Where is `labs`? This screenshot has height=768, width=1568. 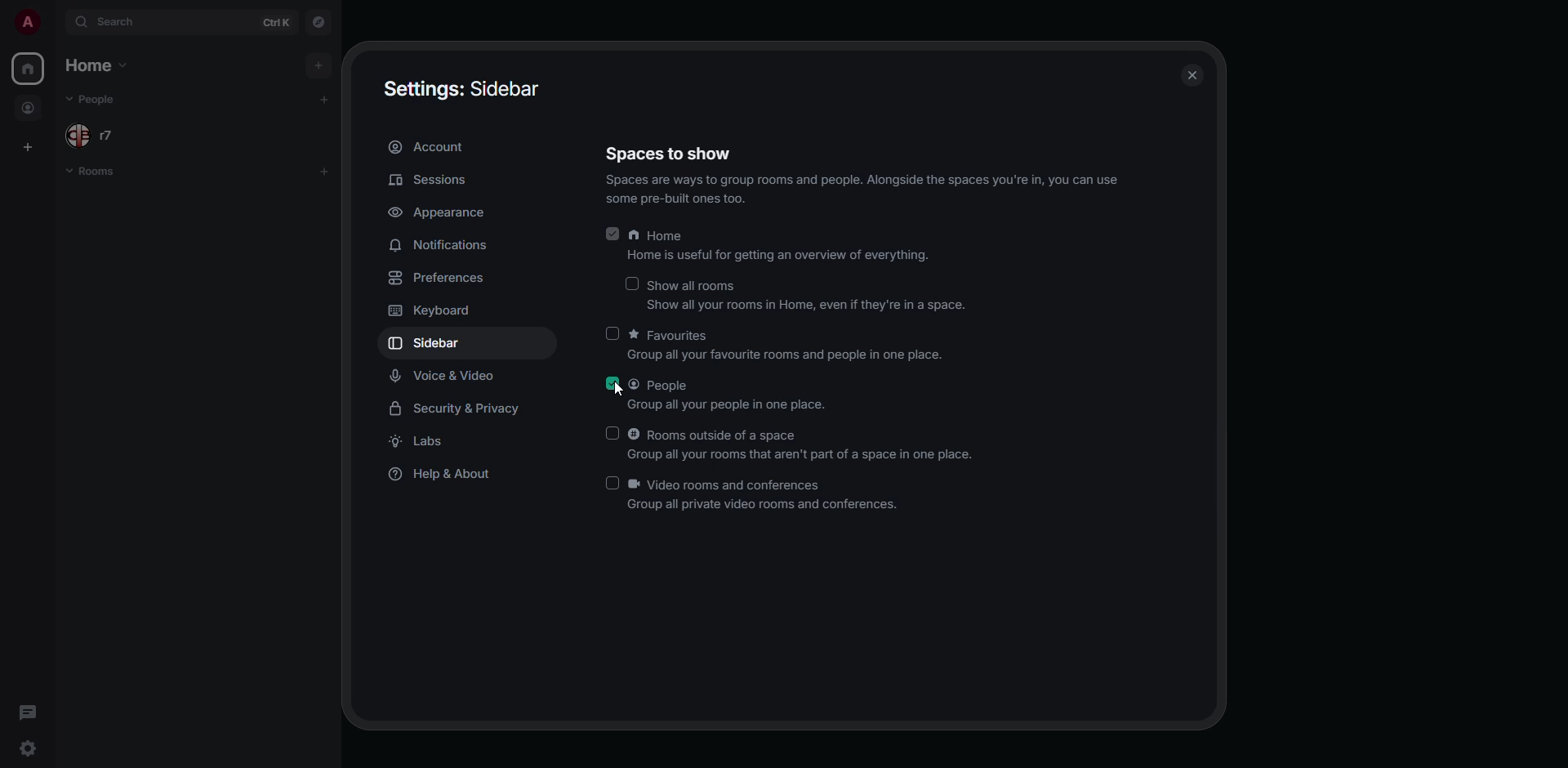
labs is located at coordinates (418, 443).